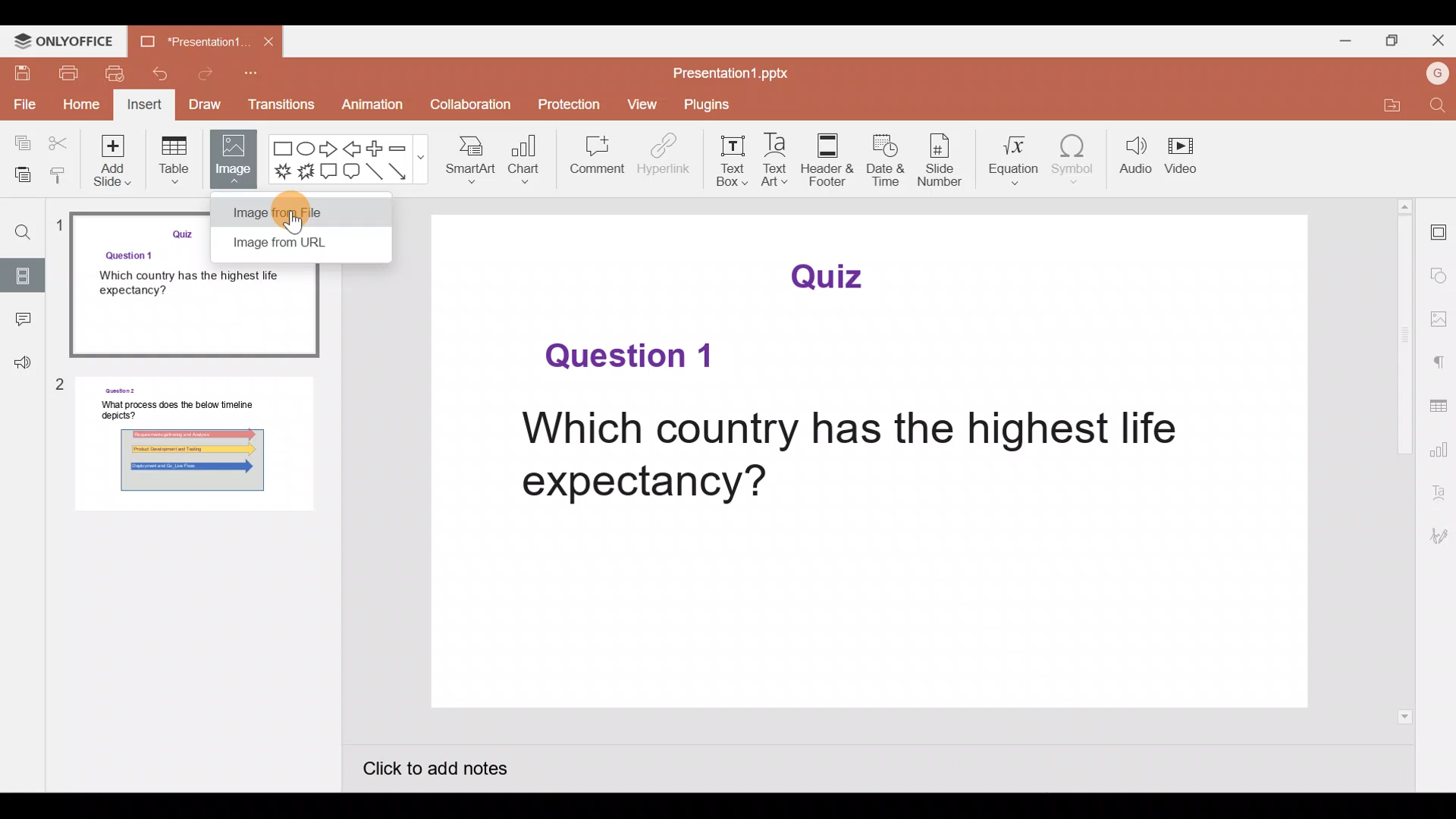 This screenshot has width=1456, height=819. I want to click on Explosion 2, so click(304, 169).